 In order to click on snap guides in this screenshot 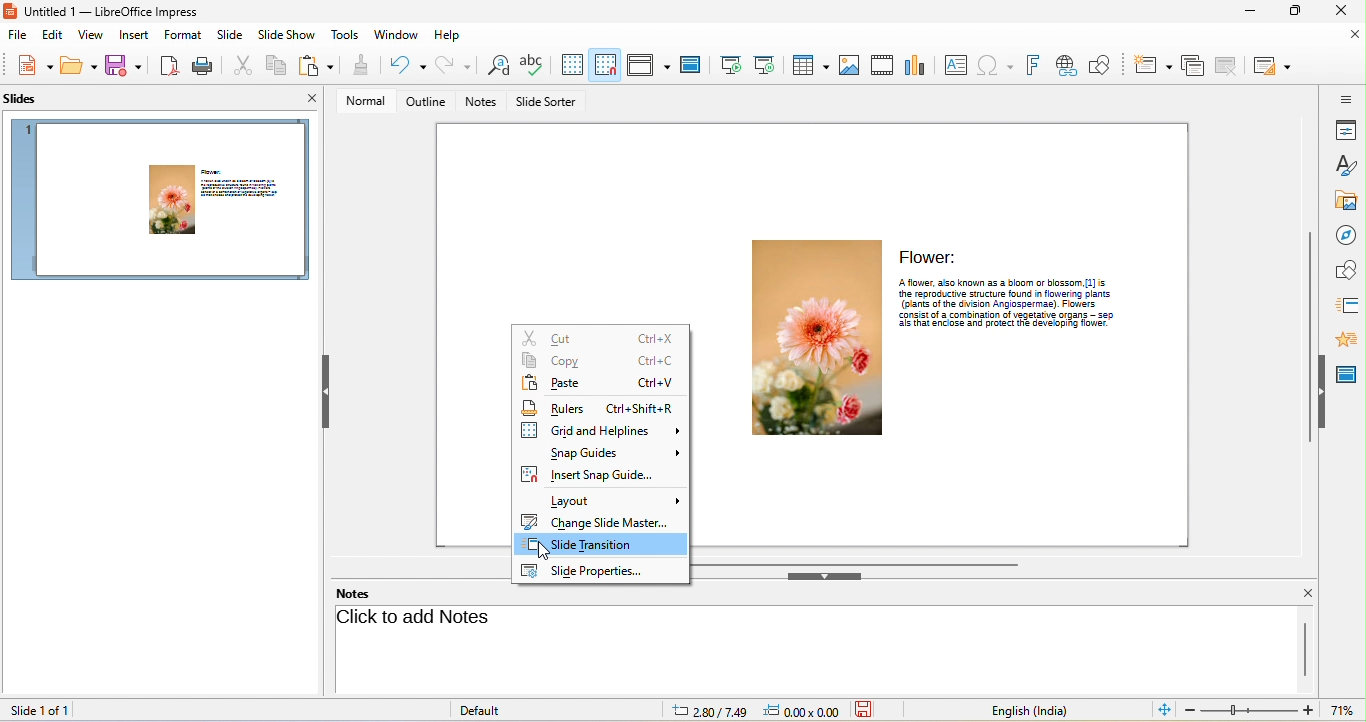, I will do `click(602, 454)`.